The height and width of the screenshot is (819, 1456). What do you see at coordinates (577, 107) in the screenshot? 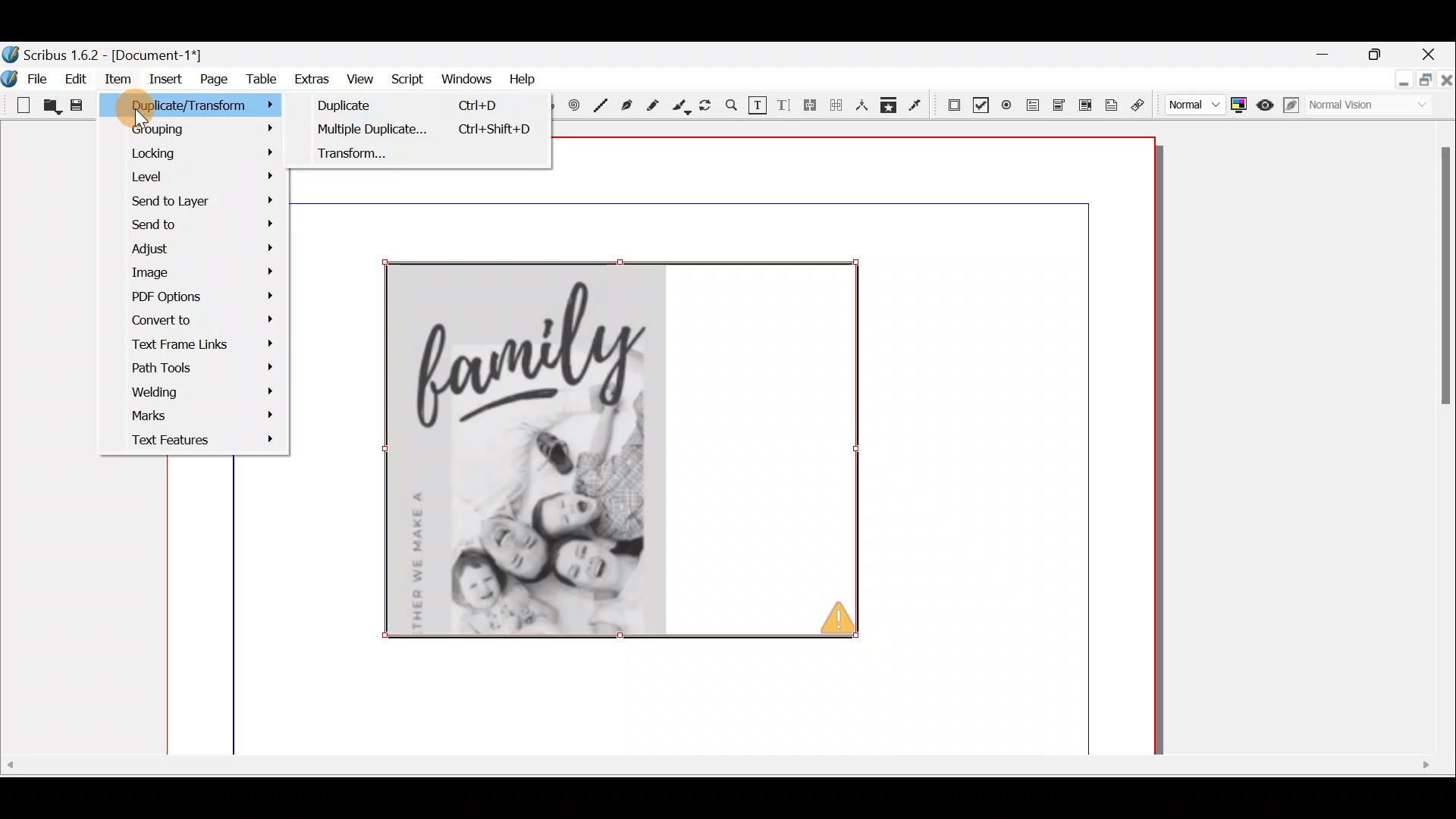
I see `Spiral` at bounding box center [577, 107].